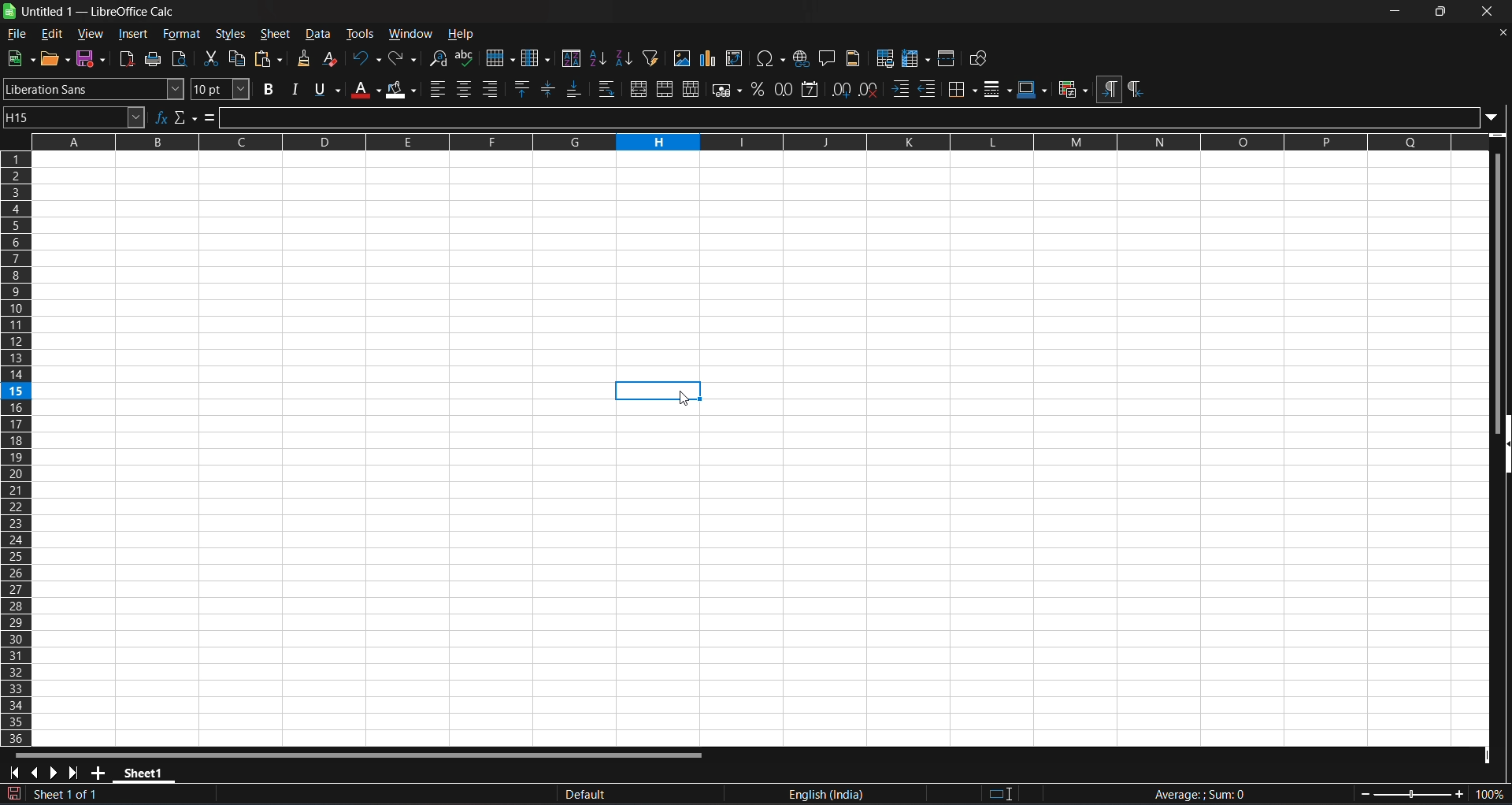 The width and height of the screenshot is (1512, 805). I want to click on background color, so click(399, 90).